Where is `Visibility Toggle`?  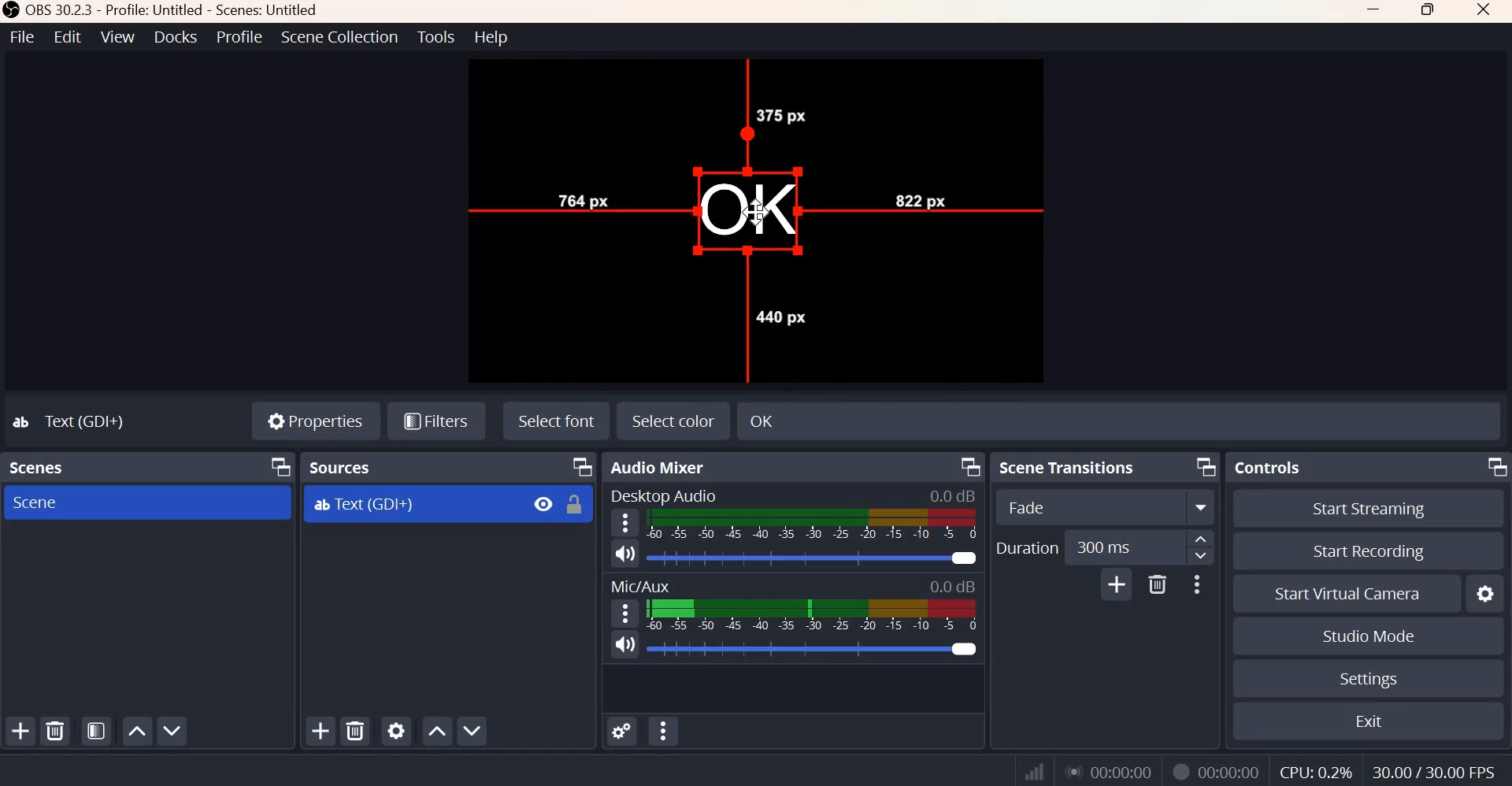
Visibility Toggle is located at coordinates (543, 504).